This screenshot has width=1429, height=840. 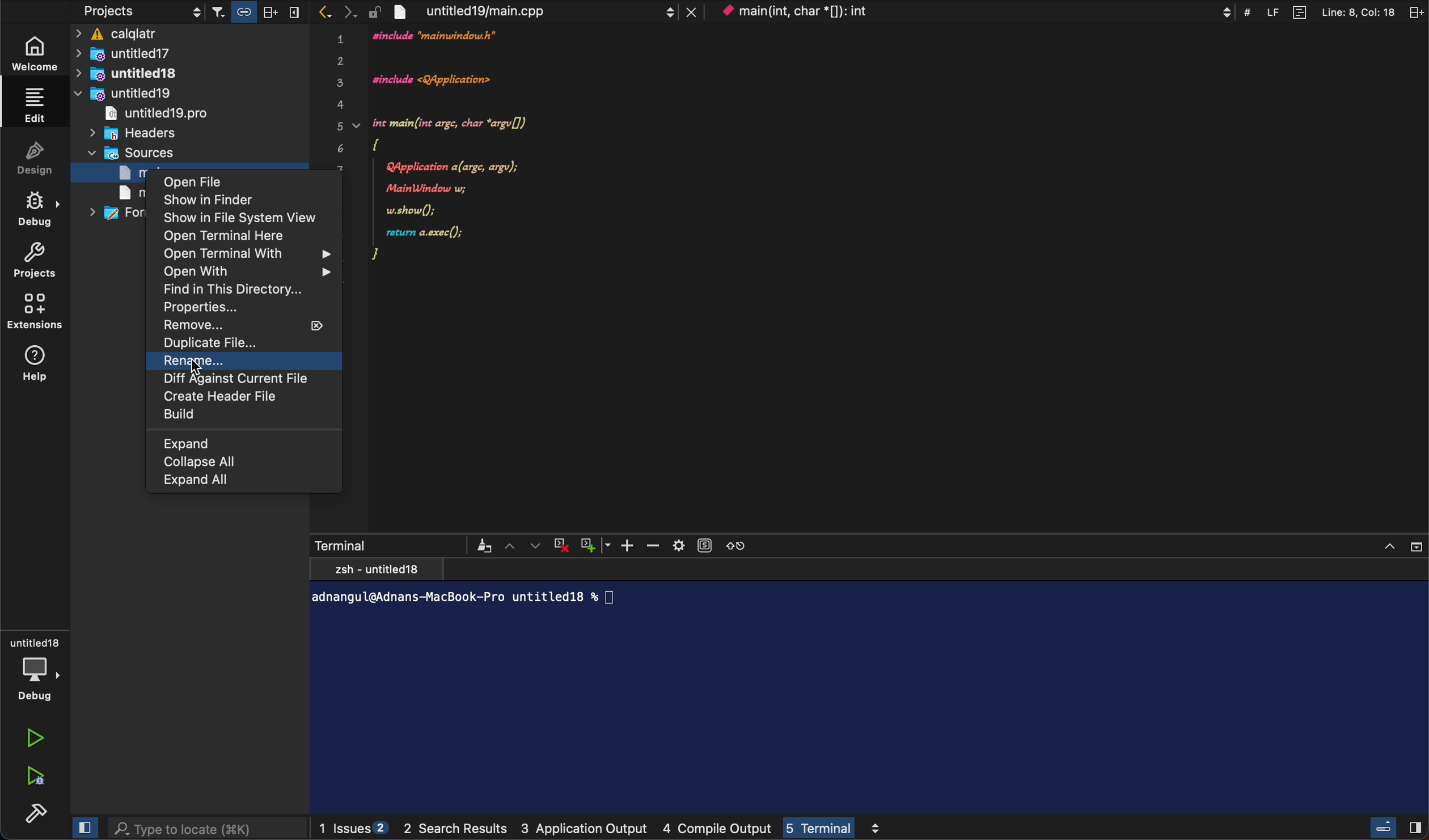 I want to click on cLose SlideBar, so click(x=82, y=827).